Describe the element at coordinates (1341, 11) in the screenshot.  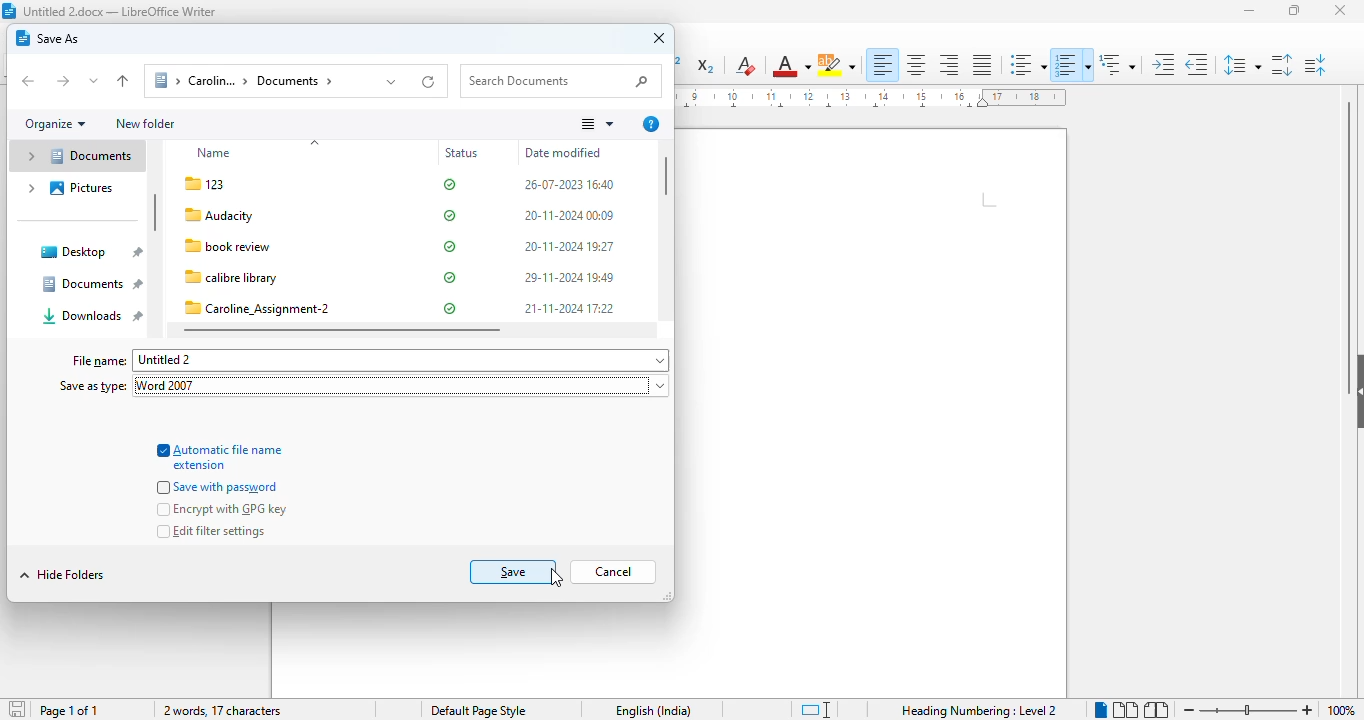
I see `close` at that location.